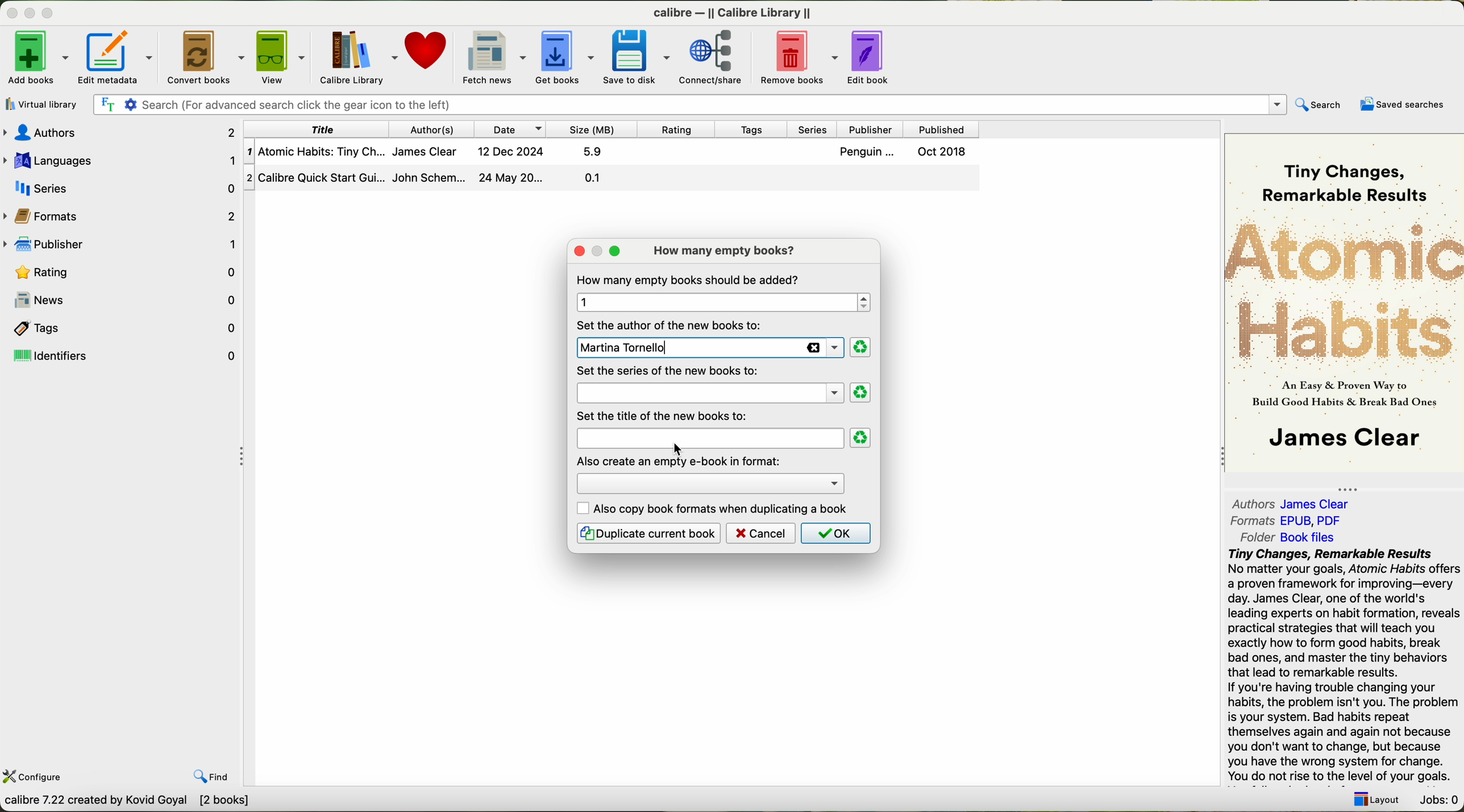 The height and width of the screenshot is (812, 1464). I want to click on search, so click(1321, 103).